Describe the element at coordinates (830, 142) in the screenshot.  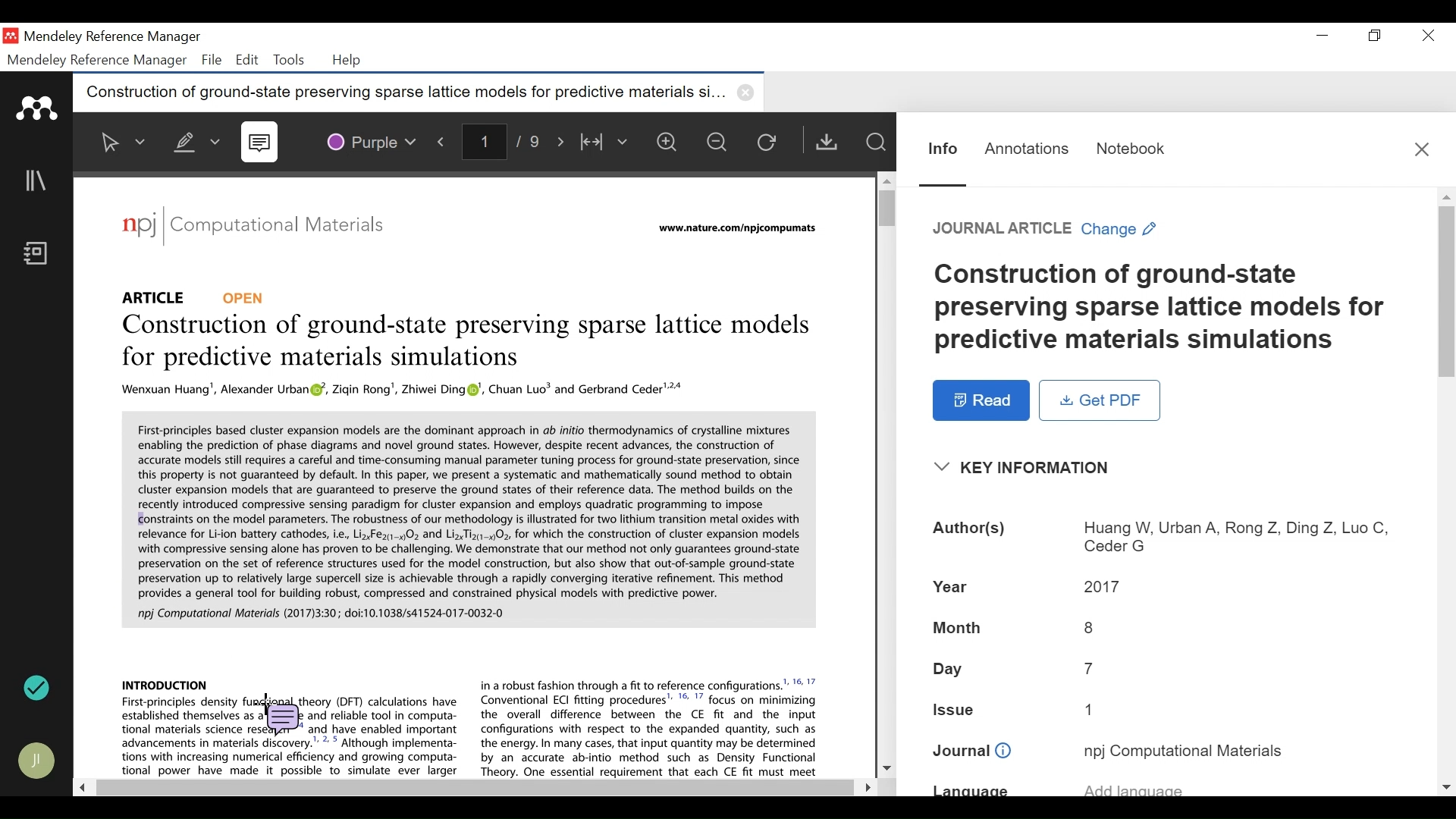
I see `Get PDF` at that location.